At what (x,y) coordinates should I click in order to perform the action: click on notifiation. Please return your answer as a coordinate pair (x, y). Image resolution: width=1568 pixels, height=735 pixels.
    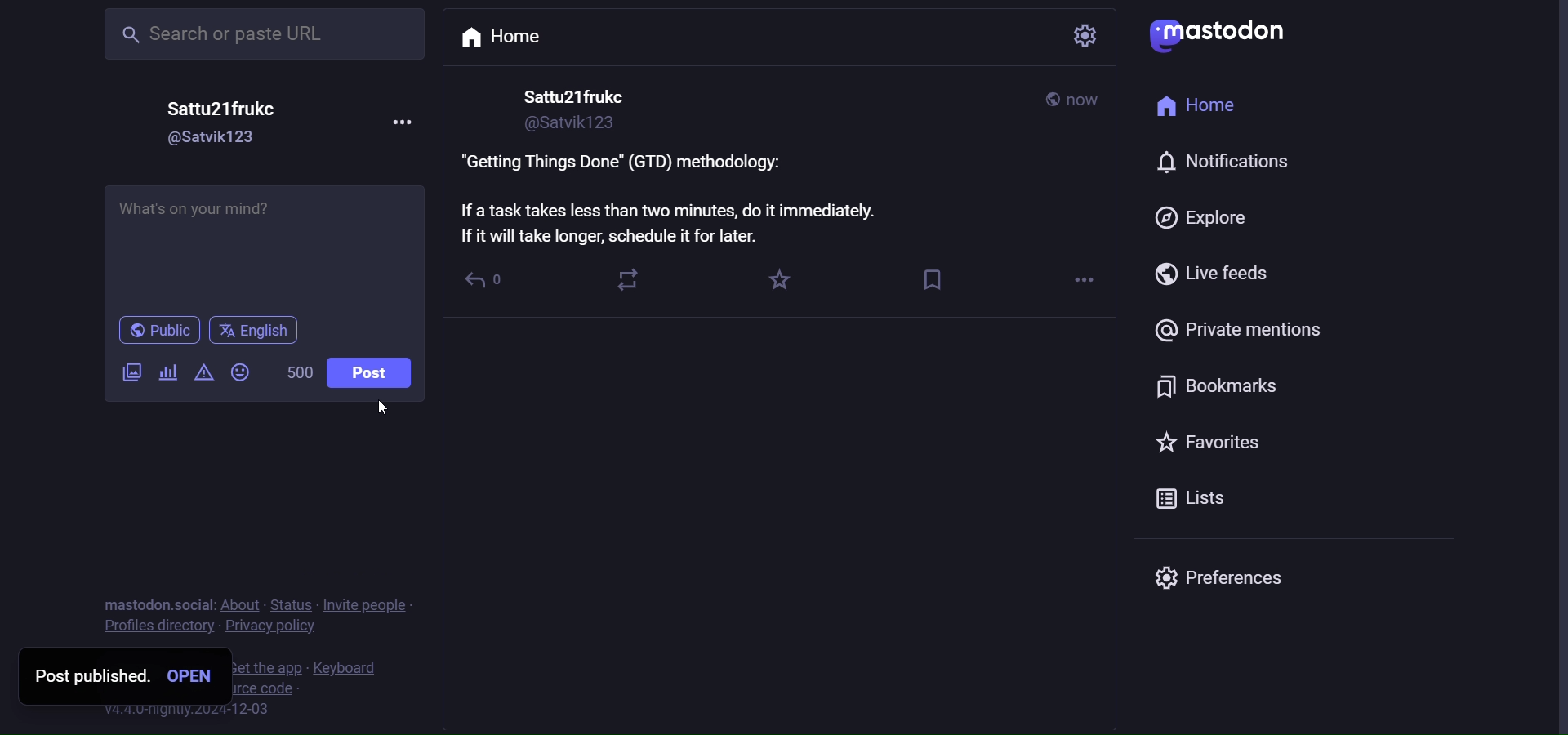
    Looking at the image, I should click on (1225, 163).